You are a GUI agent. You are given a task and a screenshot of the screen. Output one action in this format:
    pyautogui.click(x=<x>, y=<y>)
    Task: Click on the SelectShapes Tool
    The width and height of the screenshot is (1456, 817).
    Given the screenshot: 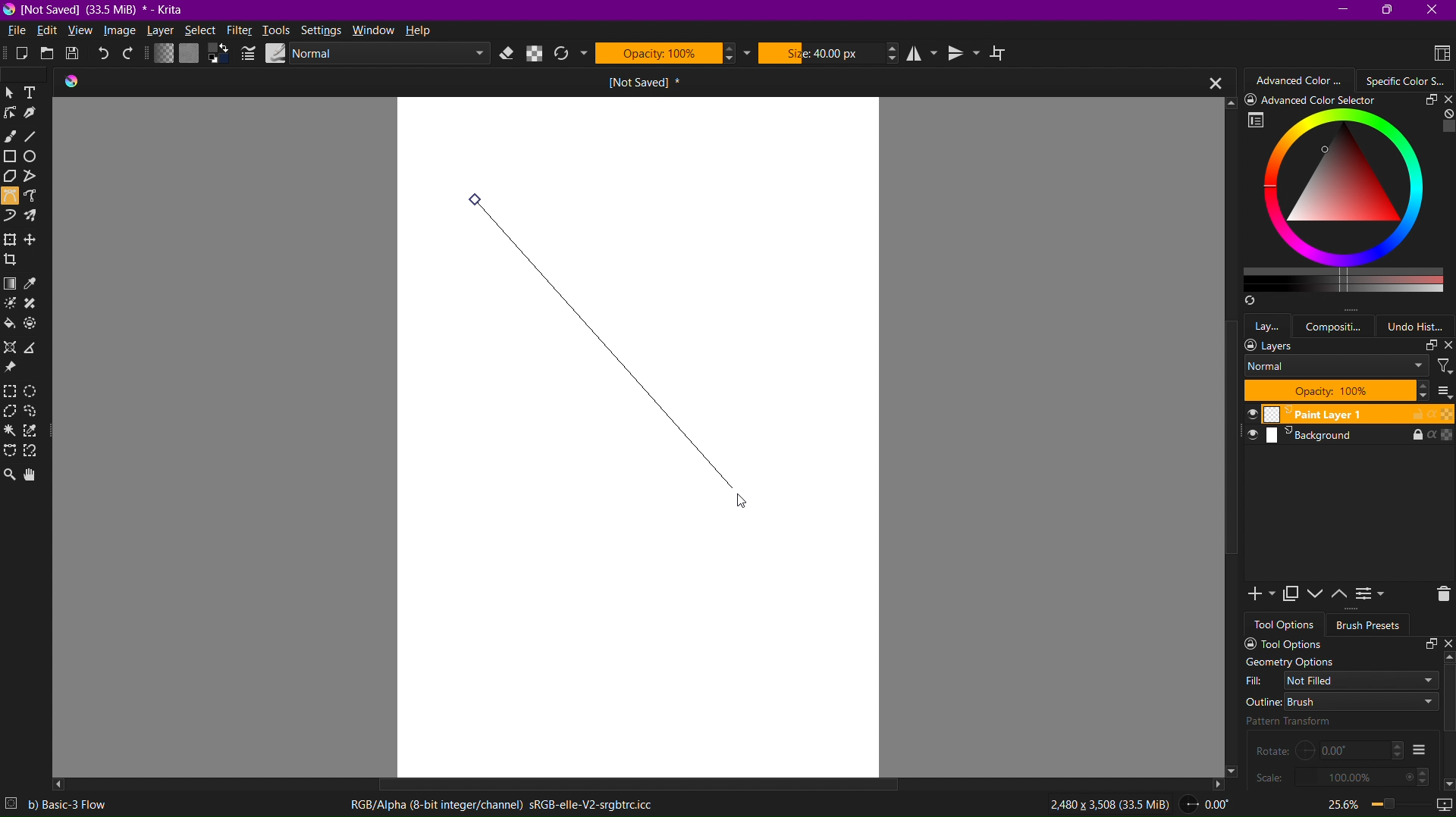 What is the action you would take?
    pyautogui.click(x=11, y=93)
    